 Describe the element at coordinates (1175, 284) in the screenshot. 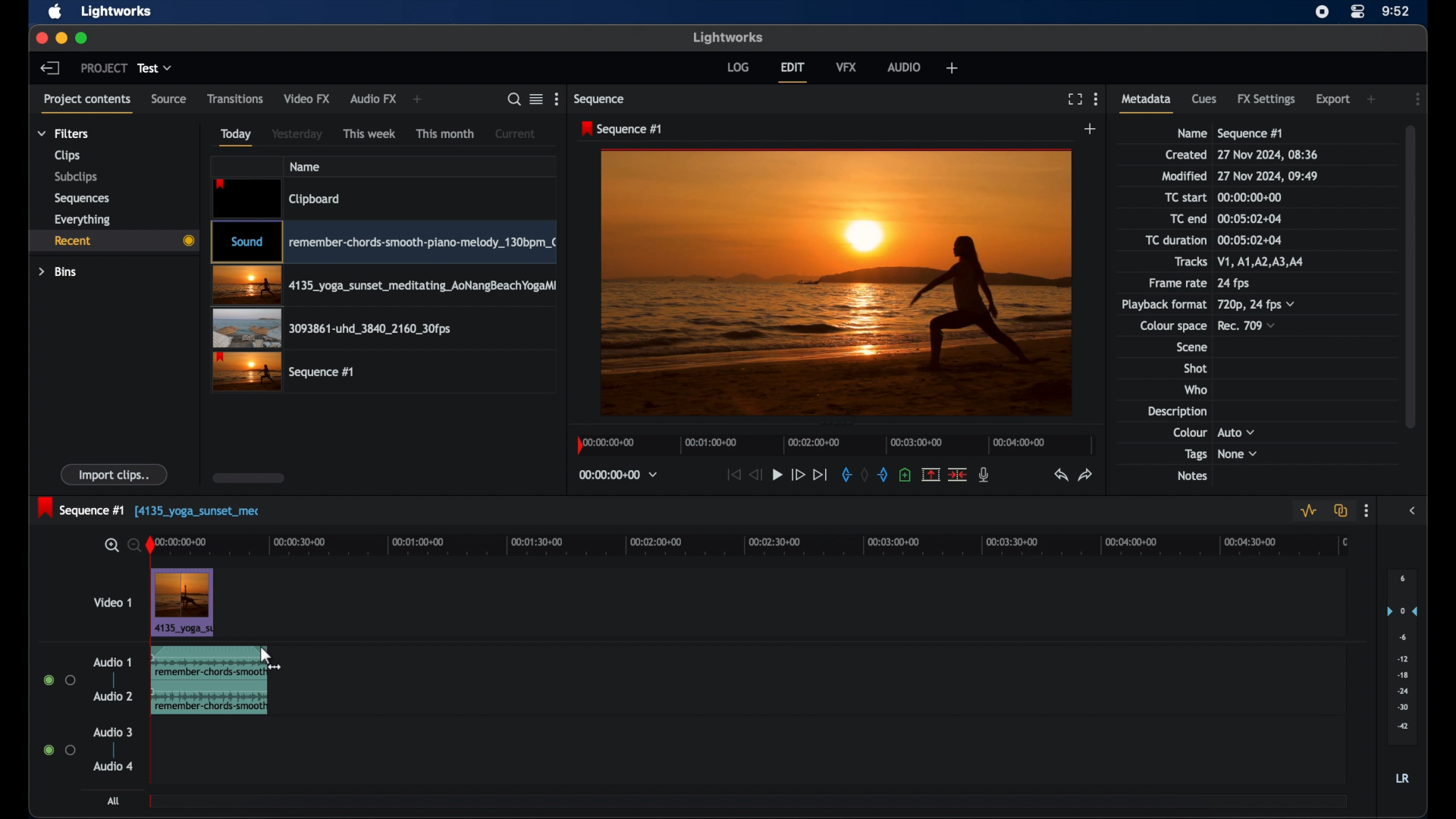

I see `frame rate` at that location.